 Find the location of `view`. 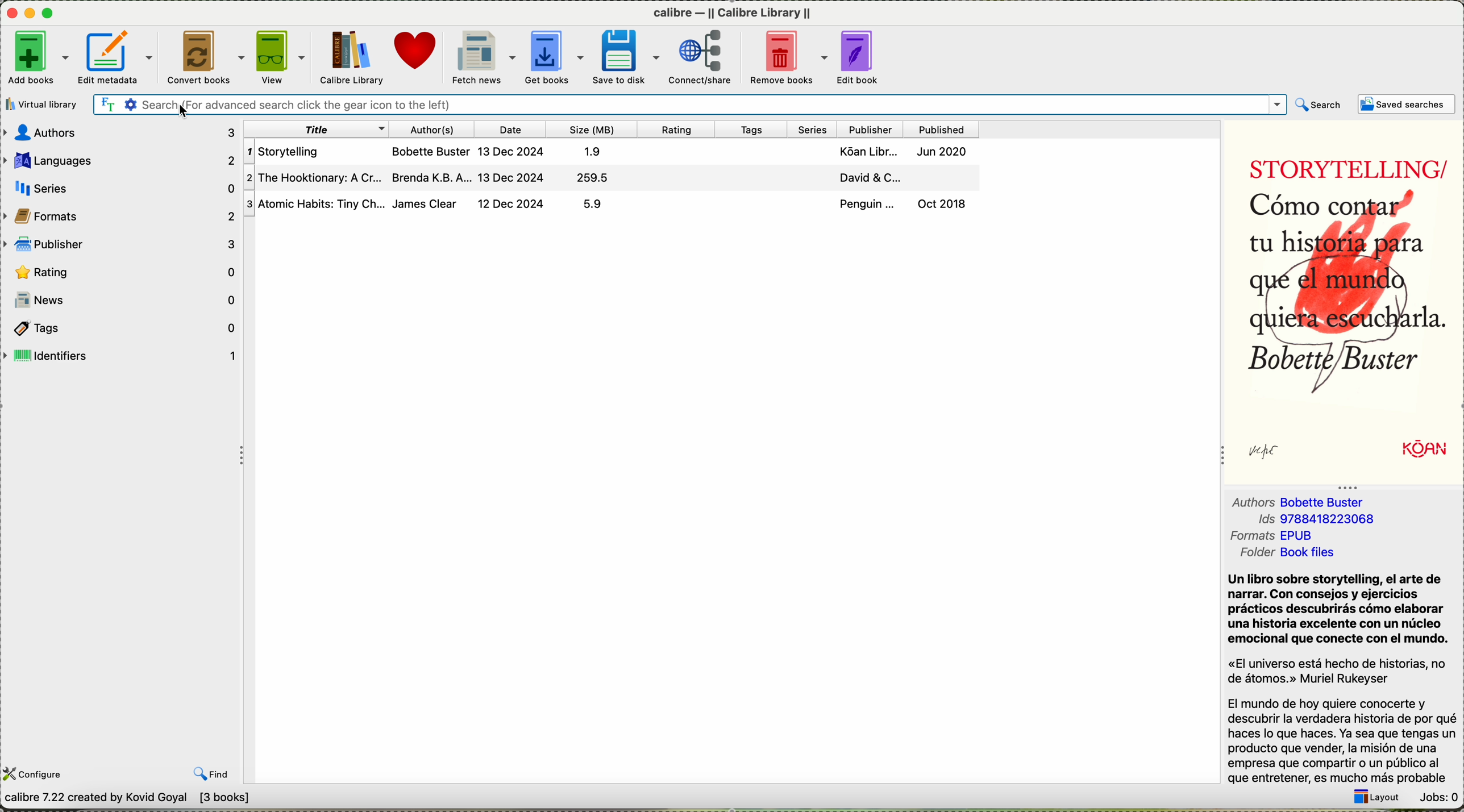

view is located at coordinates (282, 55).